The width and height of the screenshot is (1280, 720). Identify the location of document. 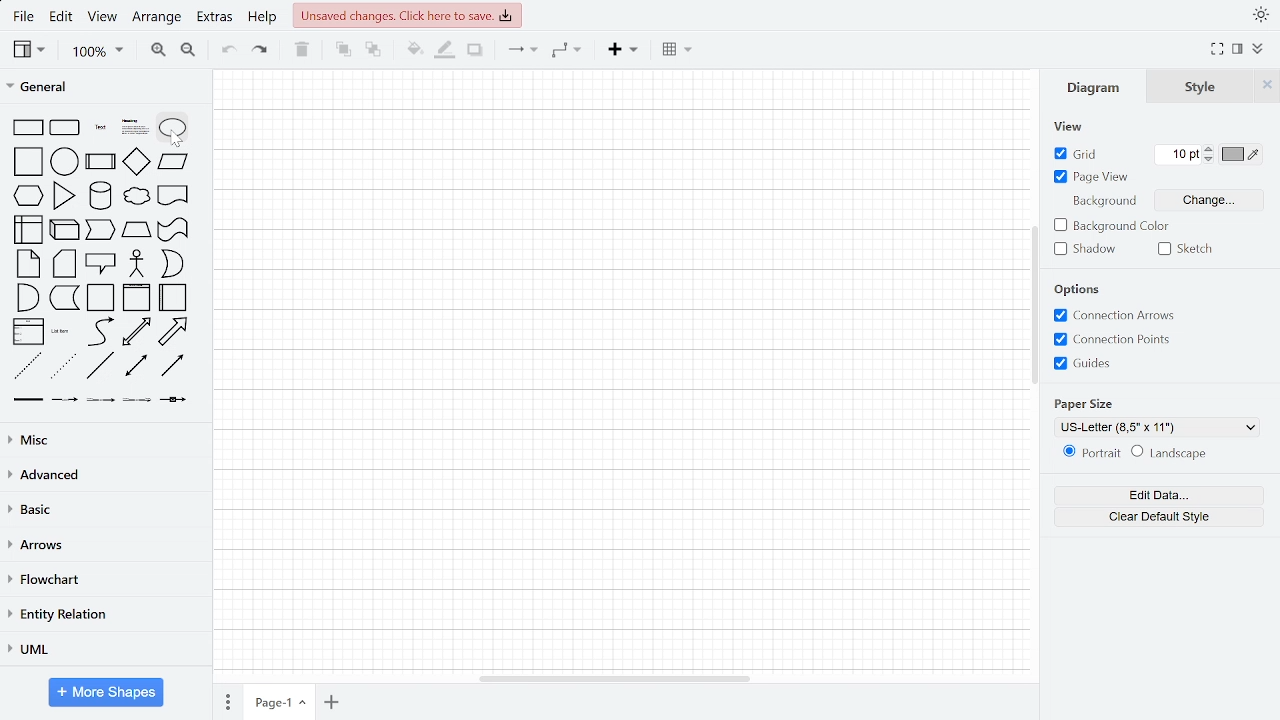
(174, 196).